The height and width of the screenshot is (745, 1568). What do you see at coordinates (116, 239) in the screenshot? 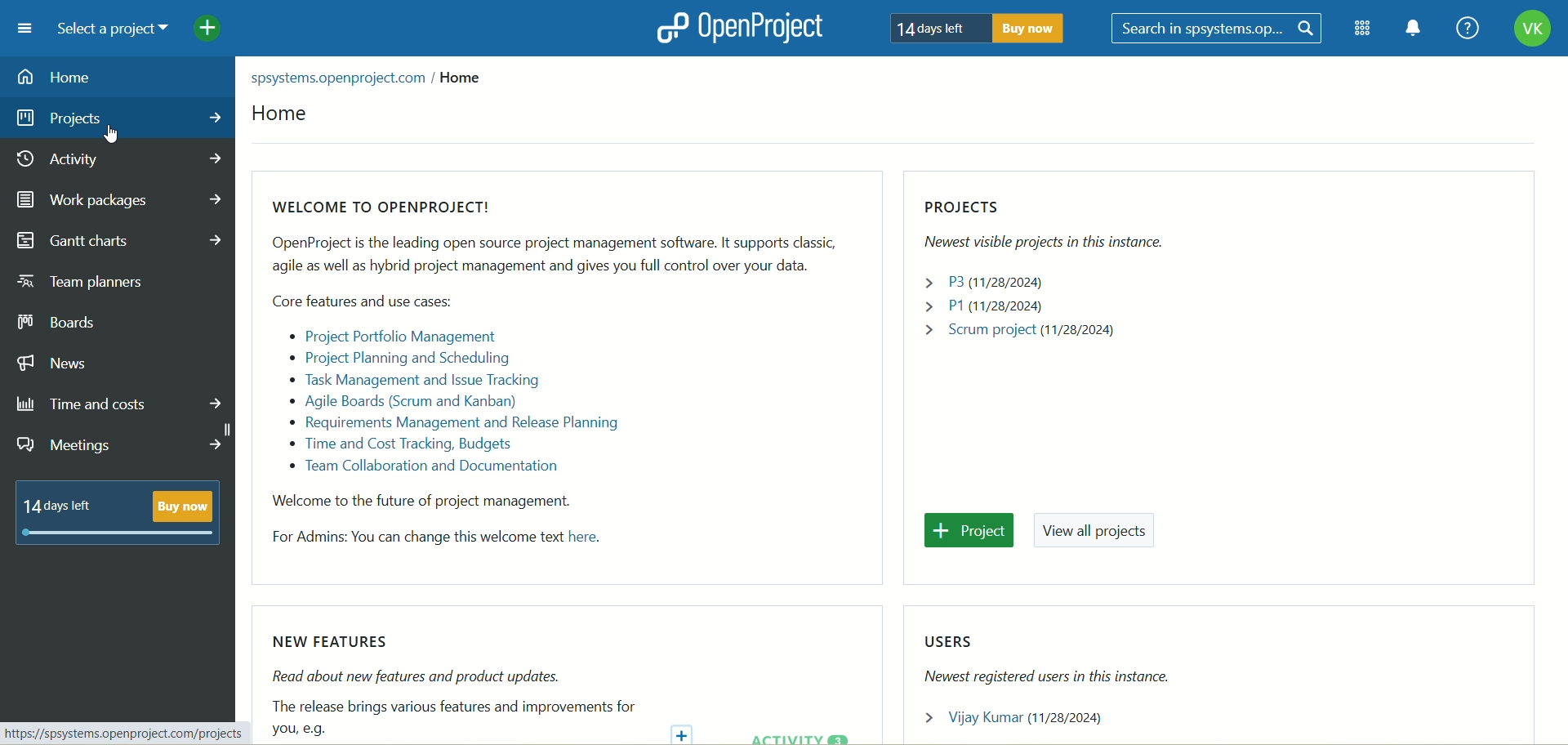
I see `gantt charts` at bounding box center [116, 239].